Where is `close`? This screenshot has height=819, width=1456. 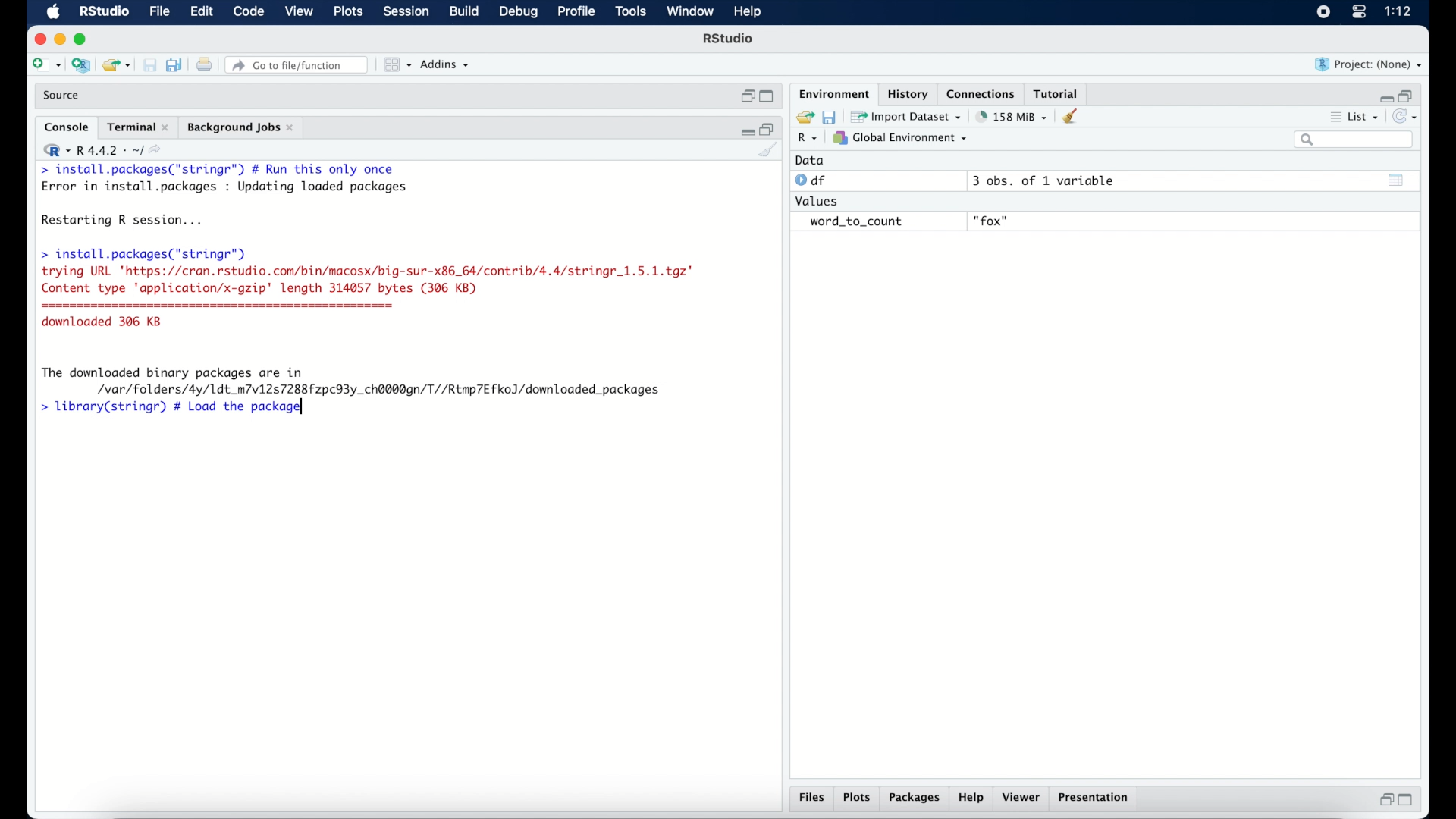 close is located at coordinates (38, 39).